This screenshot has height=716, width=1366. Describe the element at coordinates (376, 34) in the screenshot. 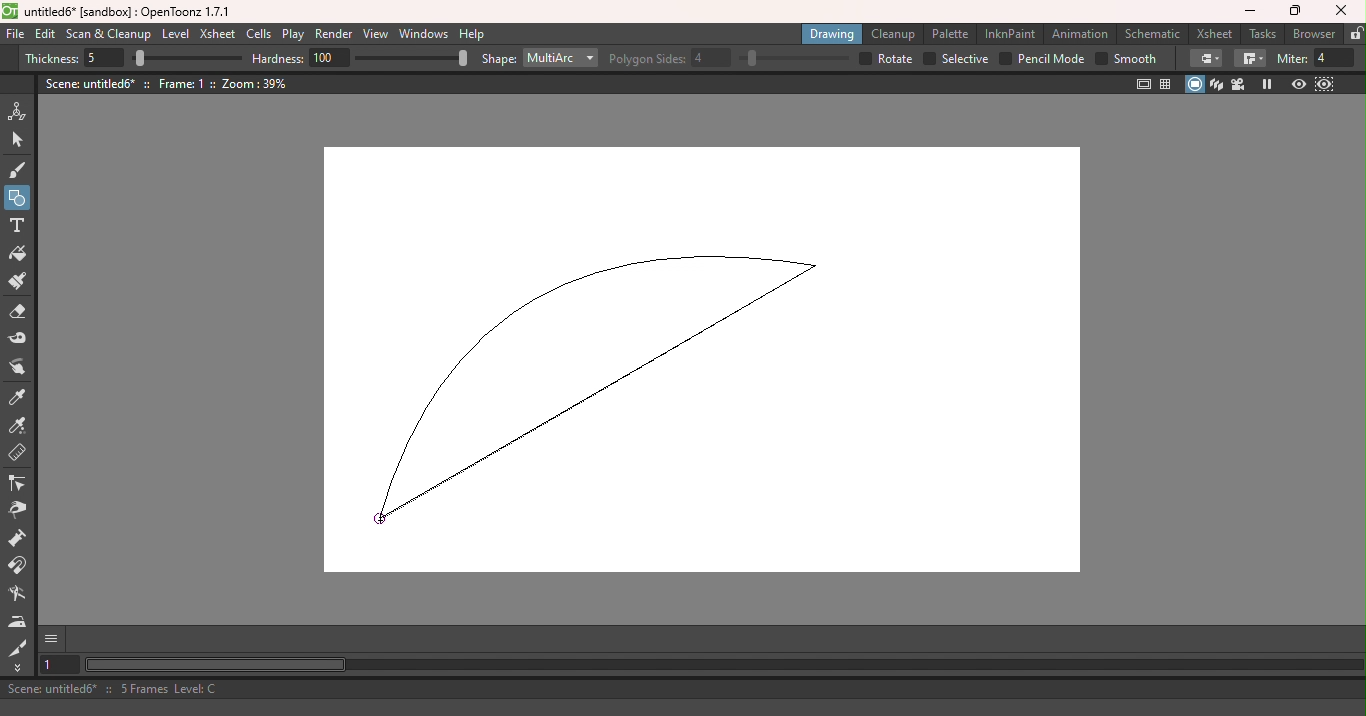

I see `View` at that location.